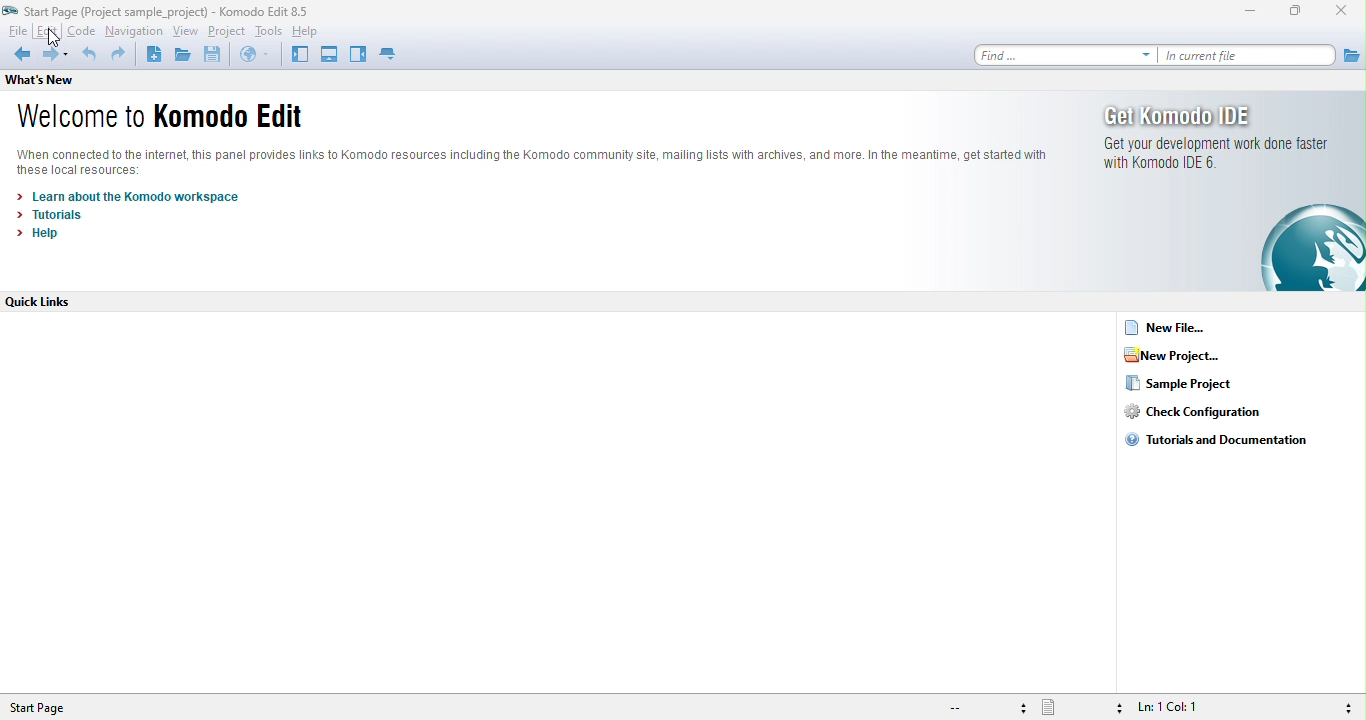 This screenshot has width=1366, height=720. What do you see at coordinates (305, 33) in the screenshot?
I see `help` at bounding box center [305, 33].